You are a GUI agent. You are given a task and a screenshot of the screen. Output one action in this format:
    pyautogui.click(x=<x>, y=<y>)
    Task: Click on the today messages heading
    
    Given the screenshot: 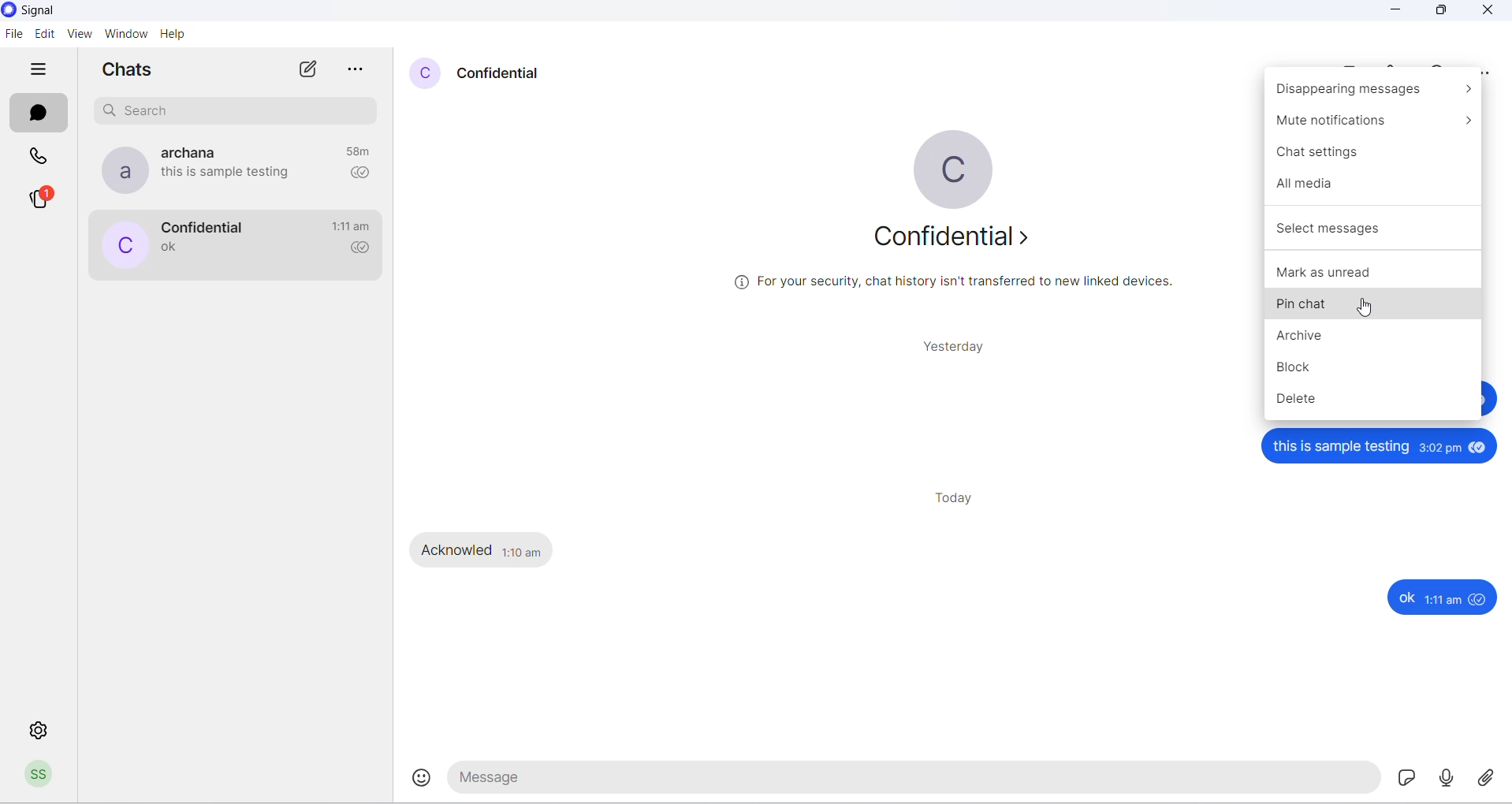 What is the action you would take?
    pyautogui.click(x=959, y=499)
    